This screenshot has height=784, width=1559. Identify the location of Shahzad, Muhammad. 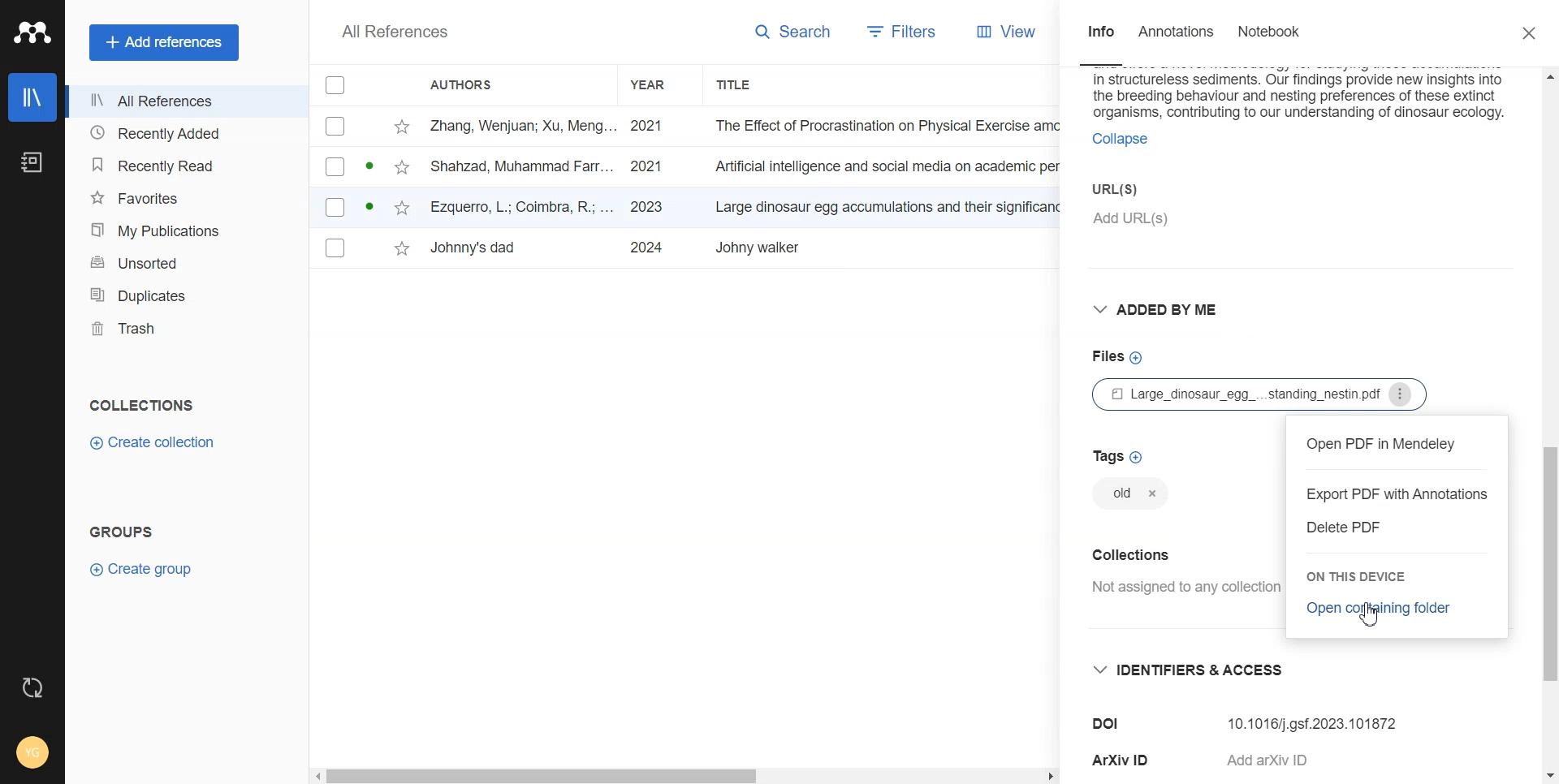
(524, 166).